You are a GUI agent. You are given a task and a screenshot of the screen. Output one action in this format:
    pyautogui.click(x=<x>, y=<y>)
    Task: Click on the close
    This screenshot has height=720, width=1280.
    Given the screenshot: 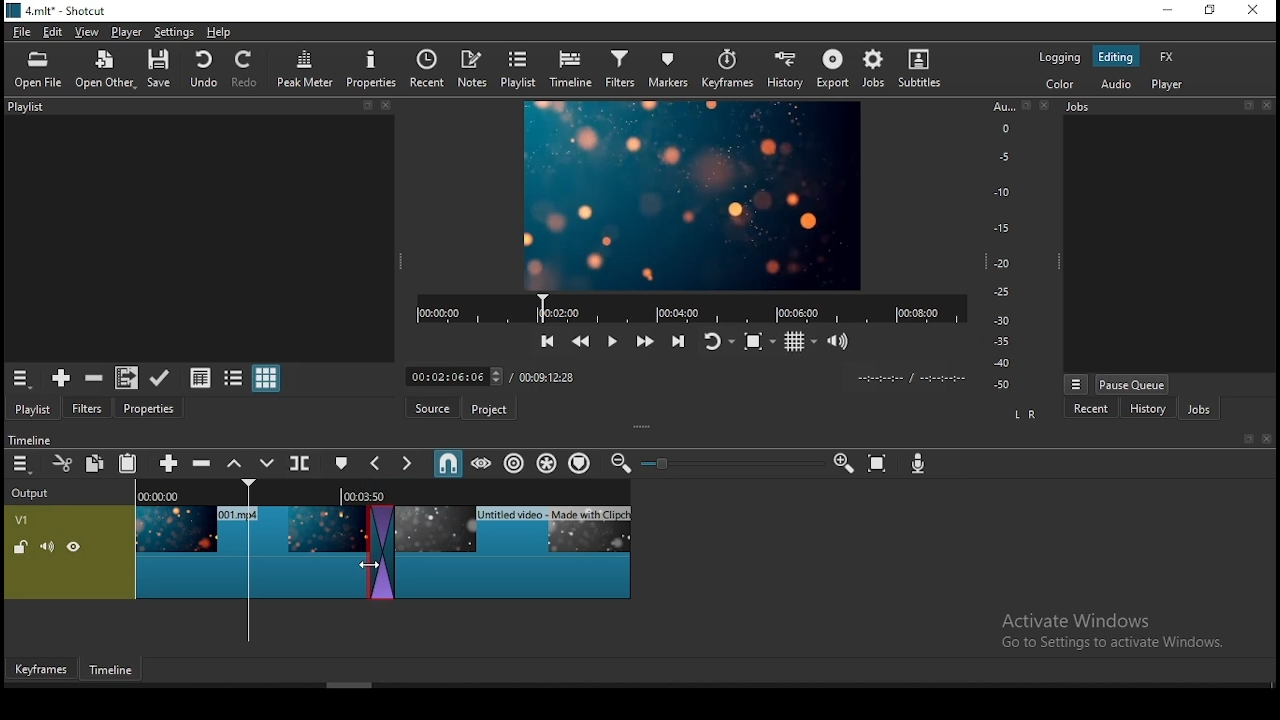 What is the action you would take?
    pyautogui.click(x=1267, y=439)
    